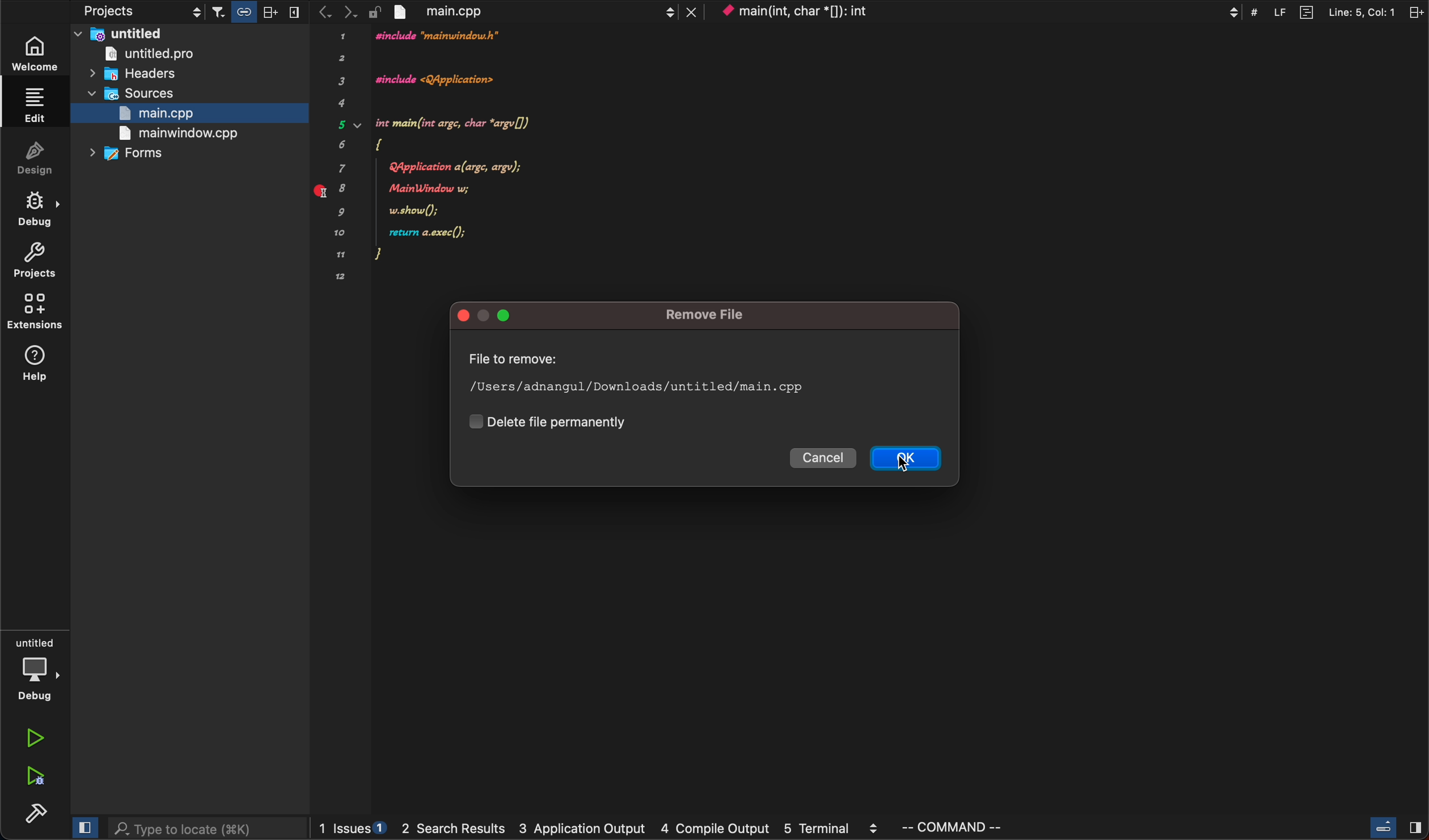 The height and width of the screenshot is (840, 1429). Describe the element at coordinates (38, 260) in the screenshot. I see `projects` at that location.